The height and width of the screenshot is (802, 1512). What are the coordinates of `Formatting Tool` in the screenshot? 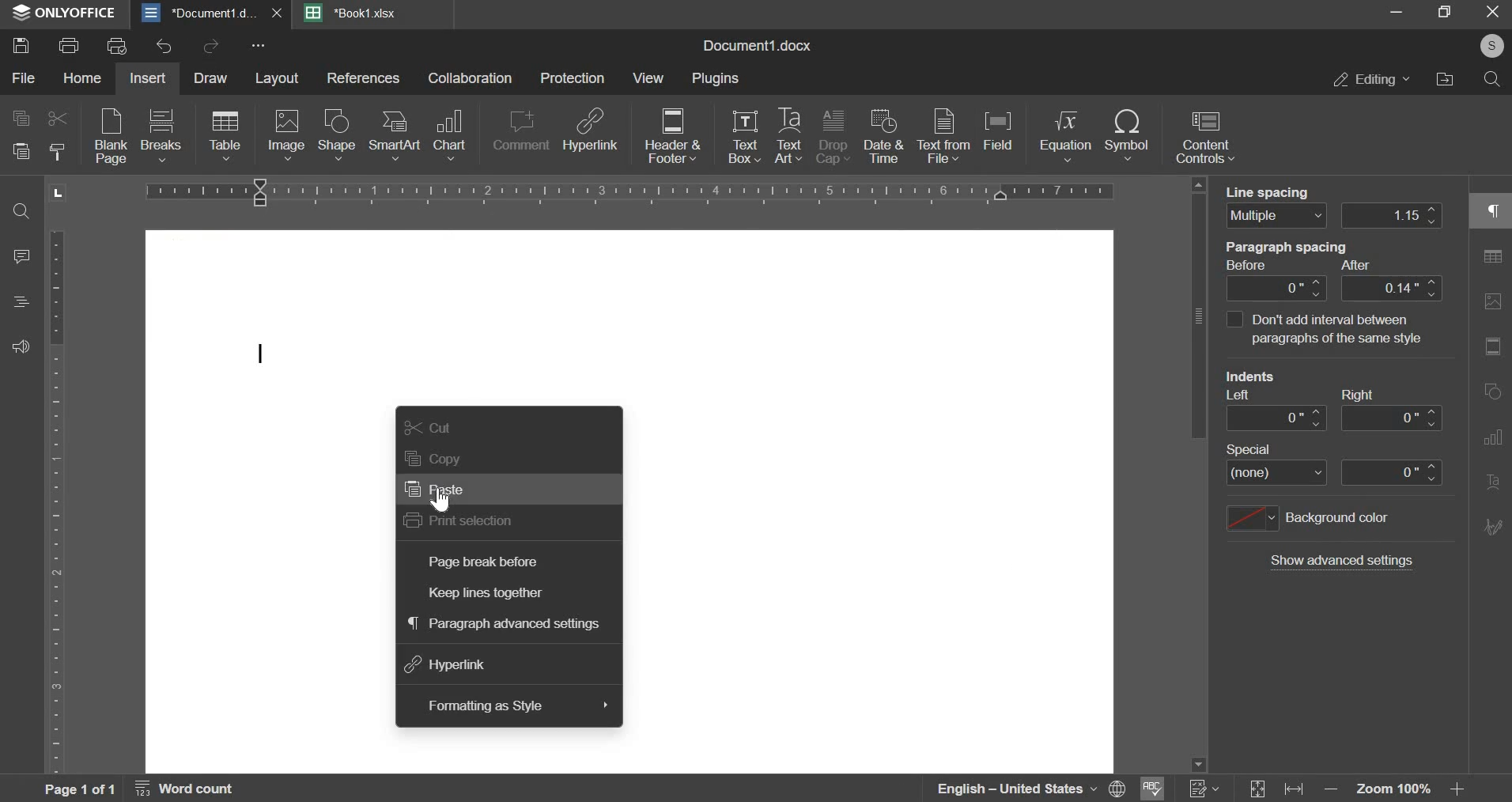 It's located at (1492, 481).